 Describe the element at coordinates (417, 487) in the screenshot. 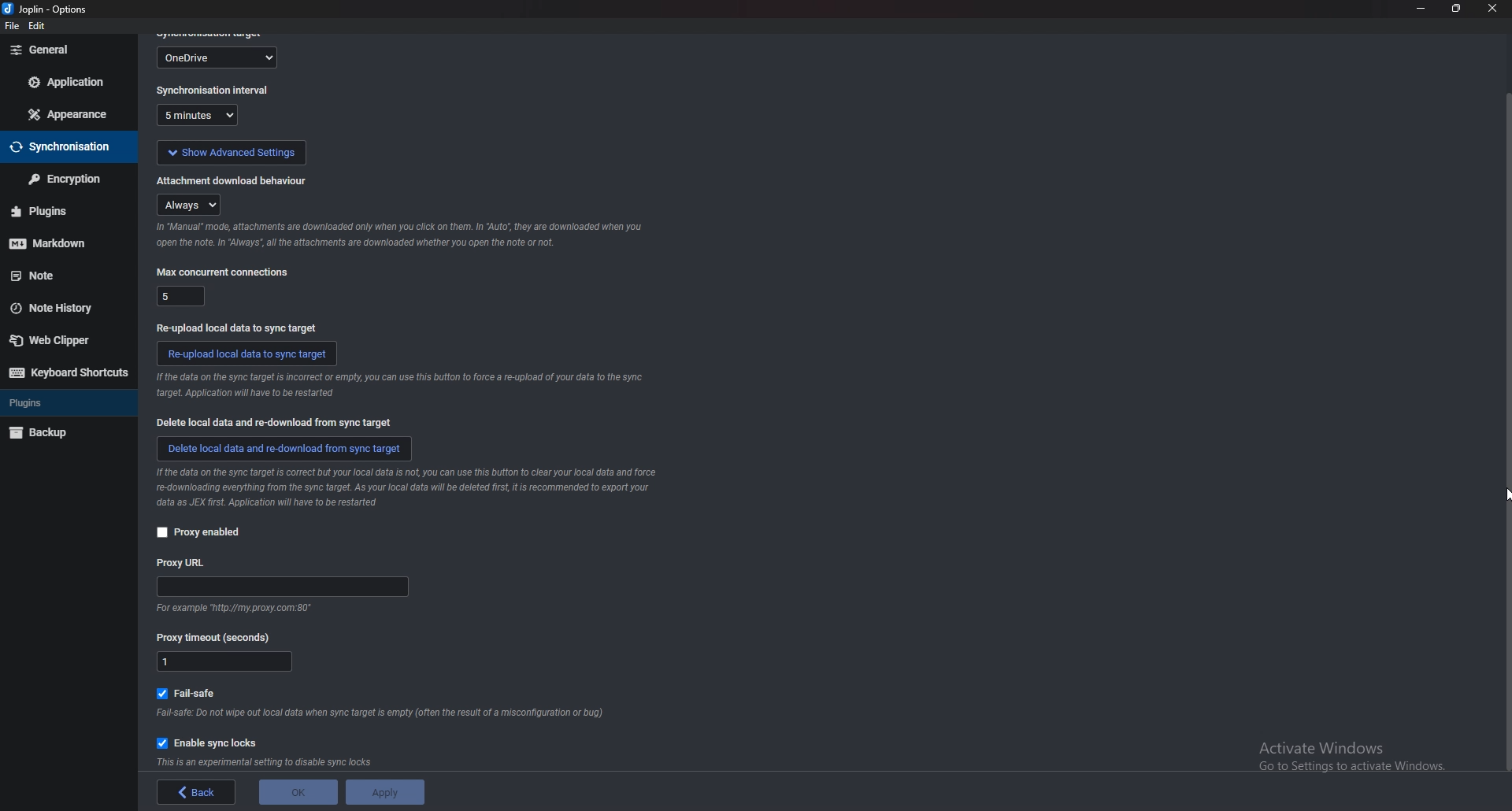

I see `info` at that location.